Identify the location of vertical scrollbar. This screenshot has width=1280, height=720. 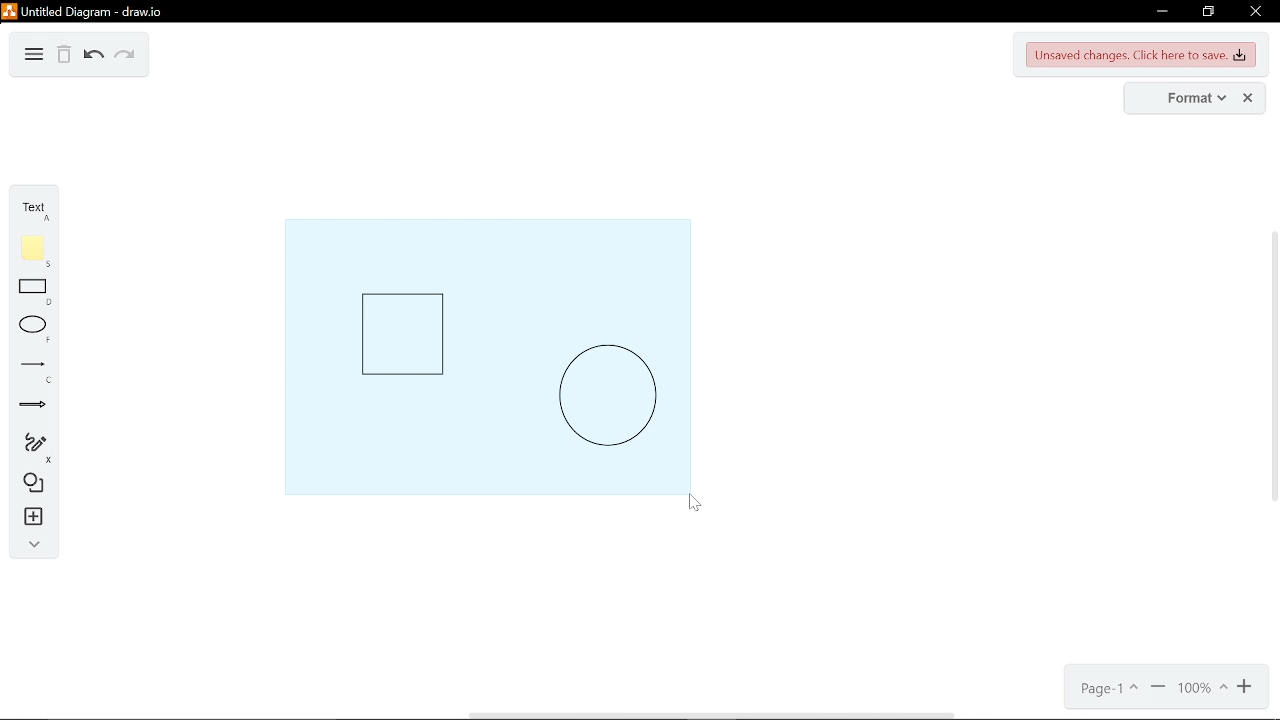
(1272, 367).